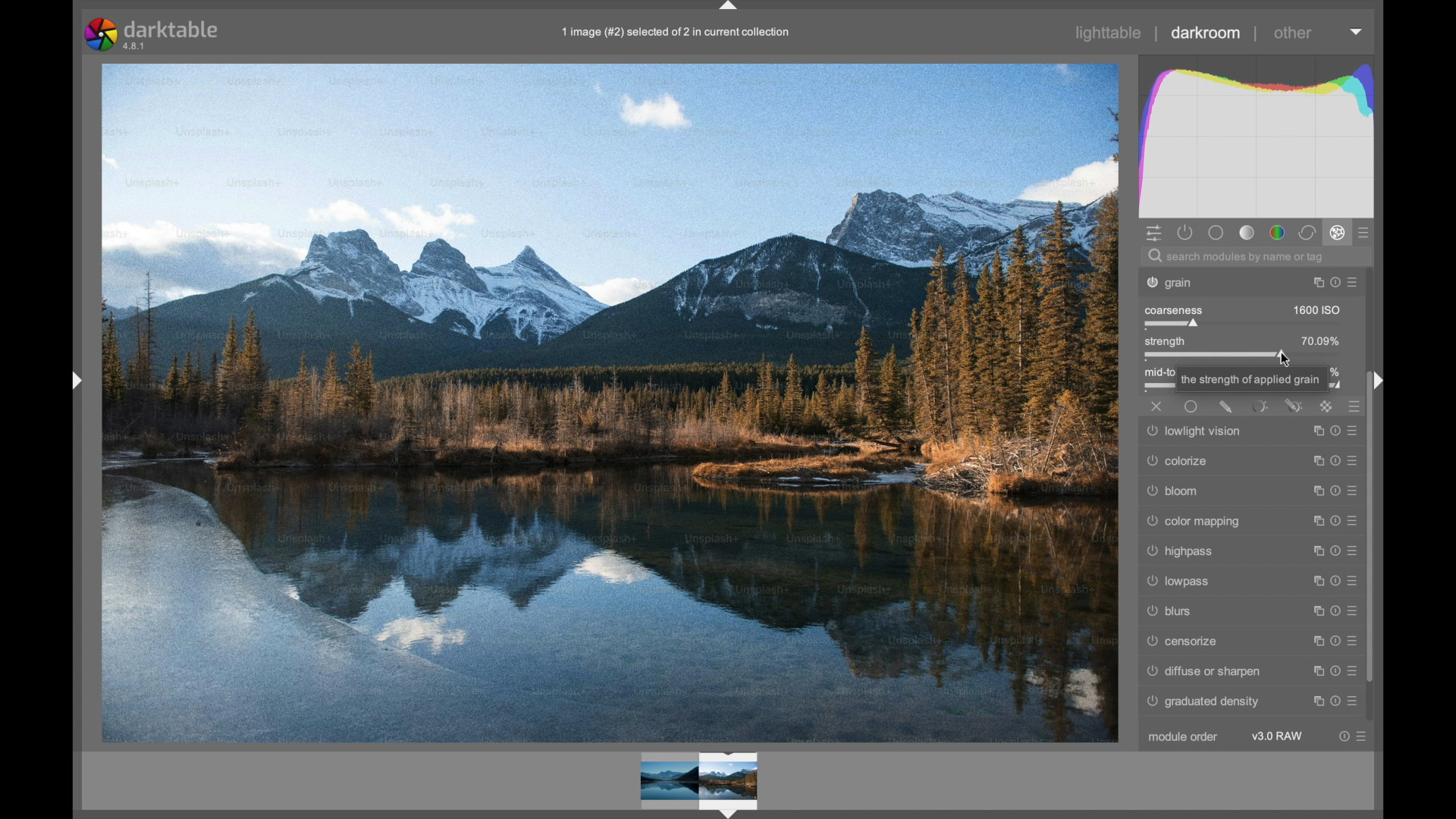 This screenshot has width=1456, height=819. I want to click on quick access panel, so click(1154, 234).